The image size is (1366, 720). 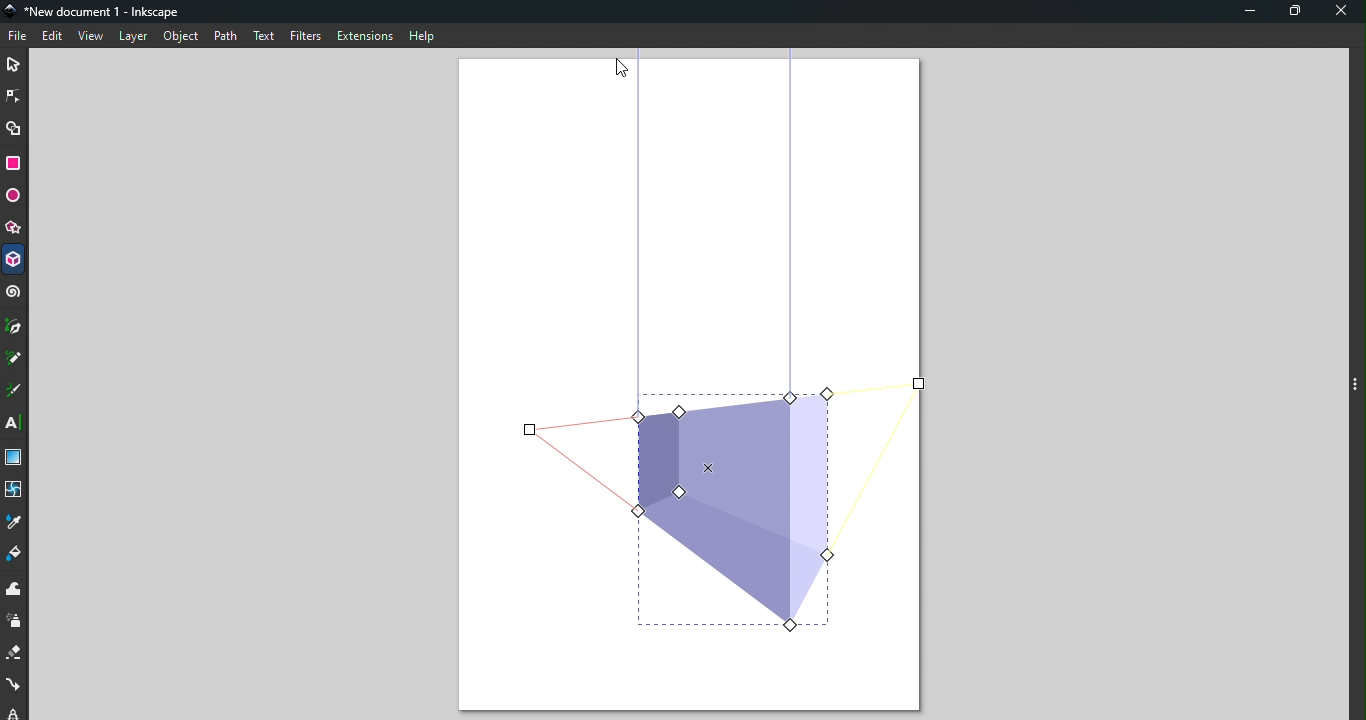 I want to click on Minimize, so click(x=1250, y=12).